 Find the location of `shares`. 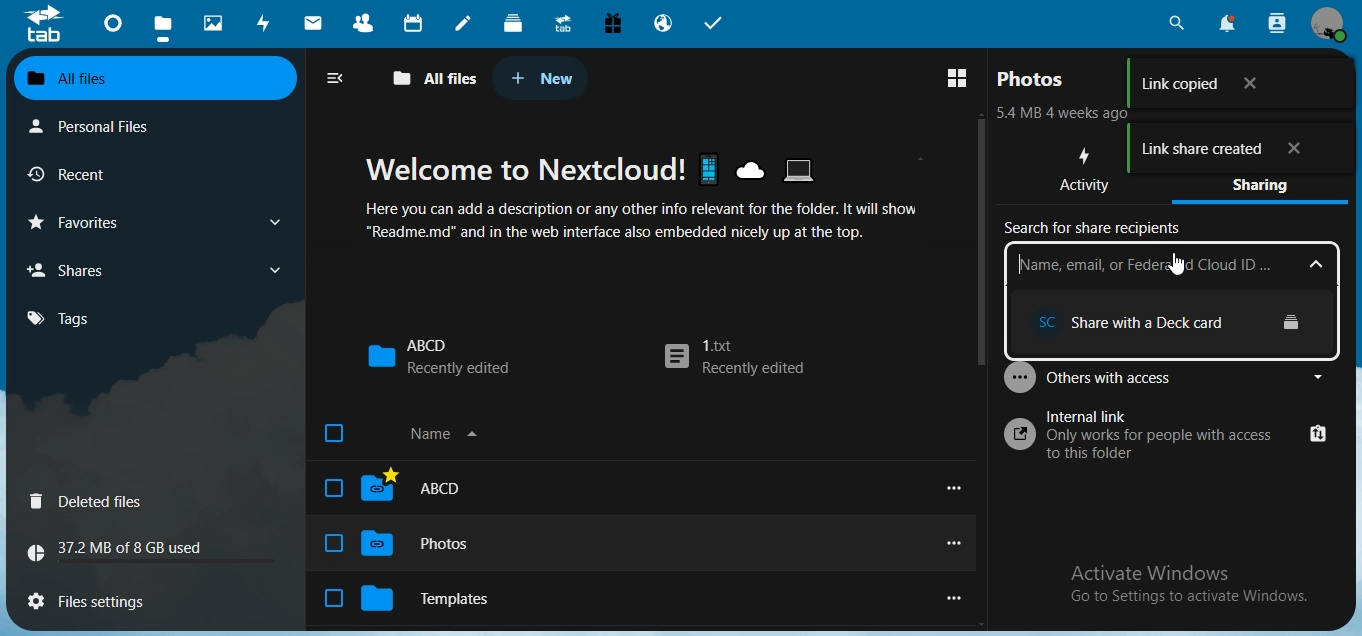

shares is located at coordinates (152, 269).